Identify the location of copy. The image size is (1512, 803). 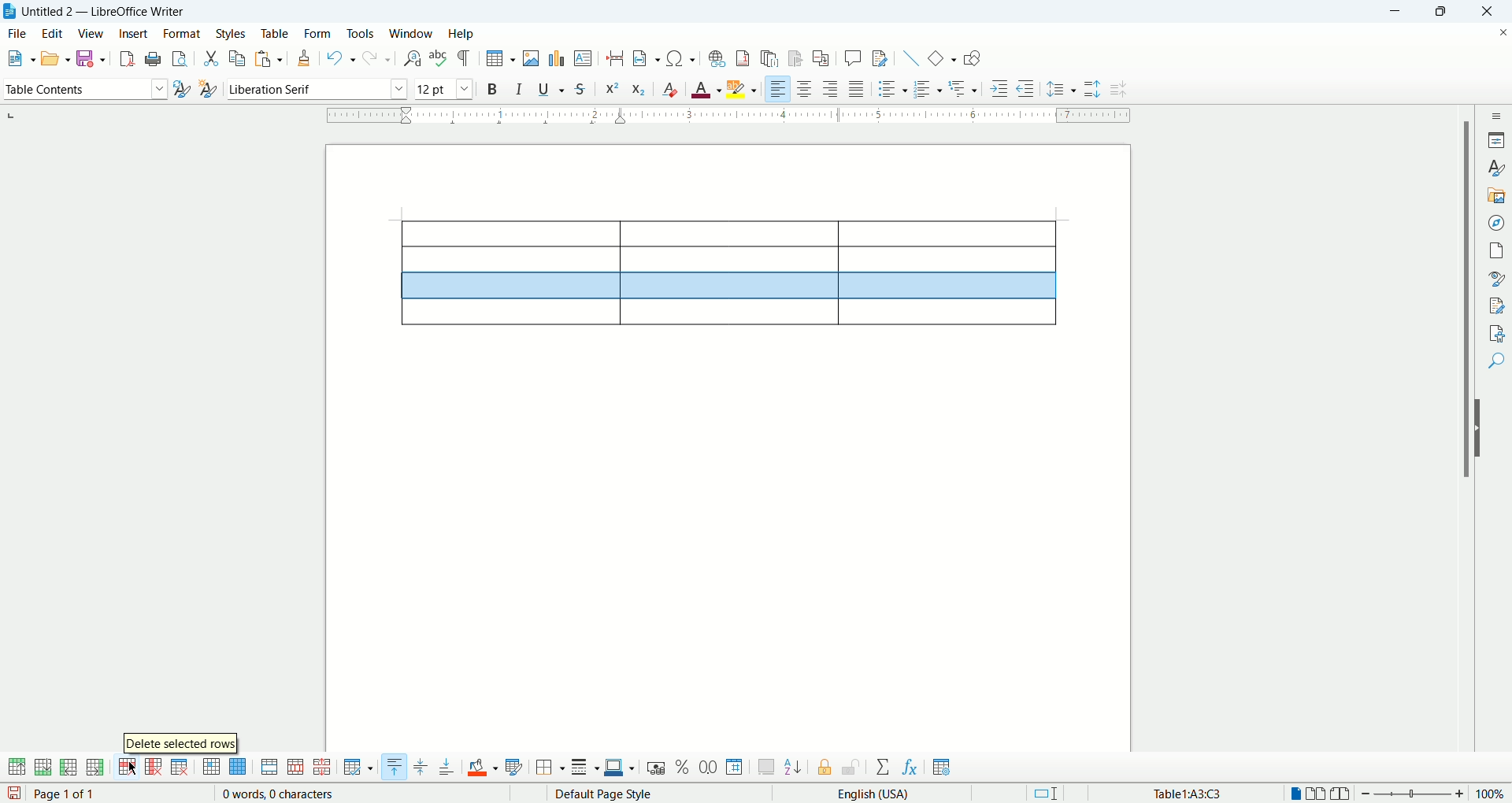
(235, 58).